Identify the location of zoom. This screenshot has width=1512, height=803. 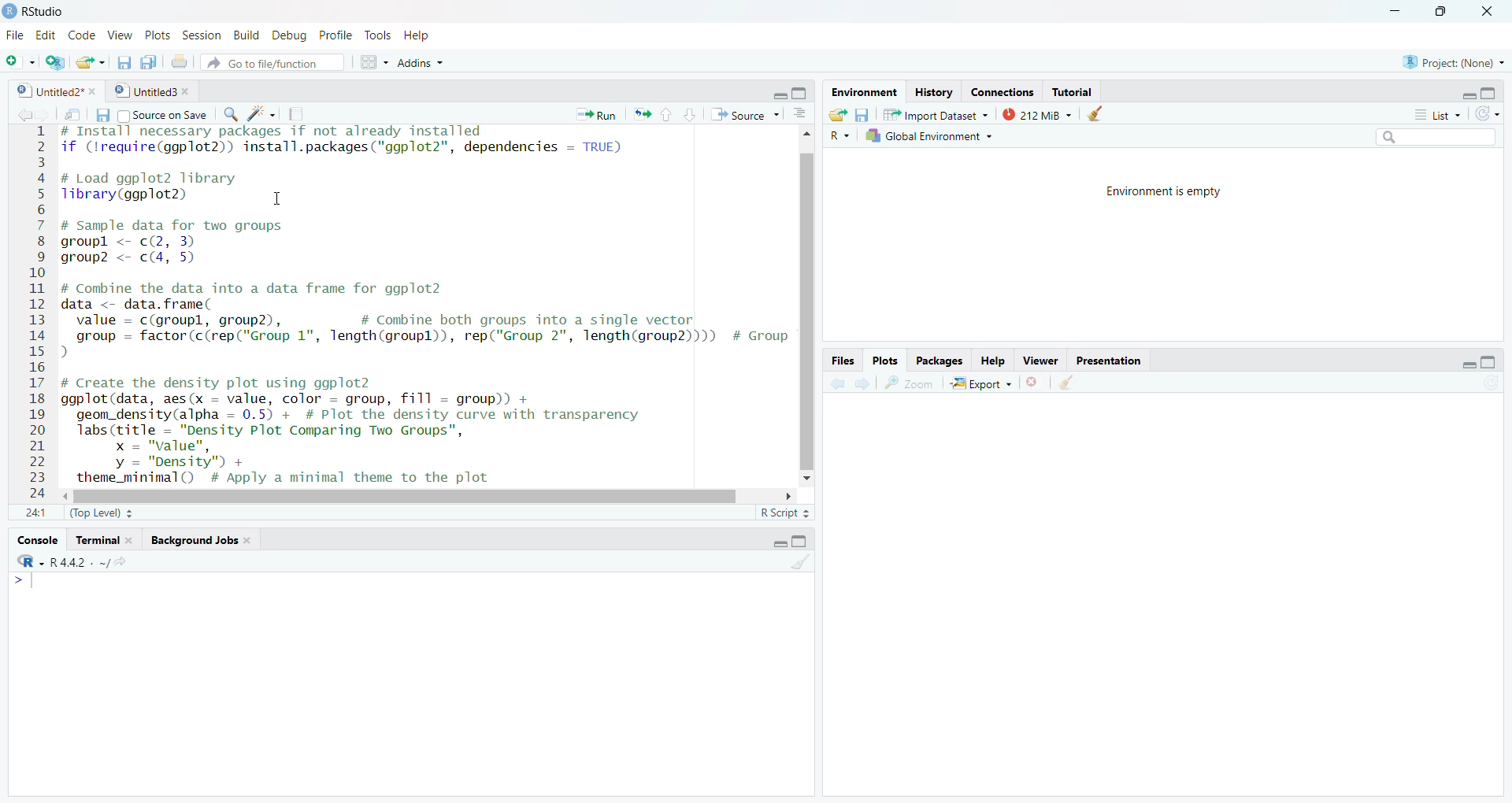
(910, 382).